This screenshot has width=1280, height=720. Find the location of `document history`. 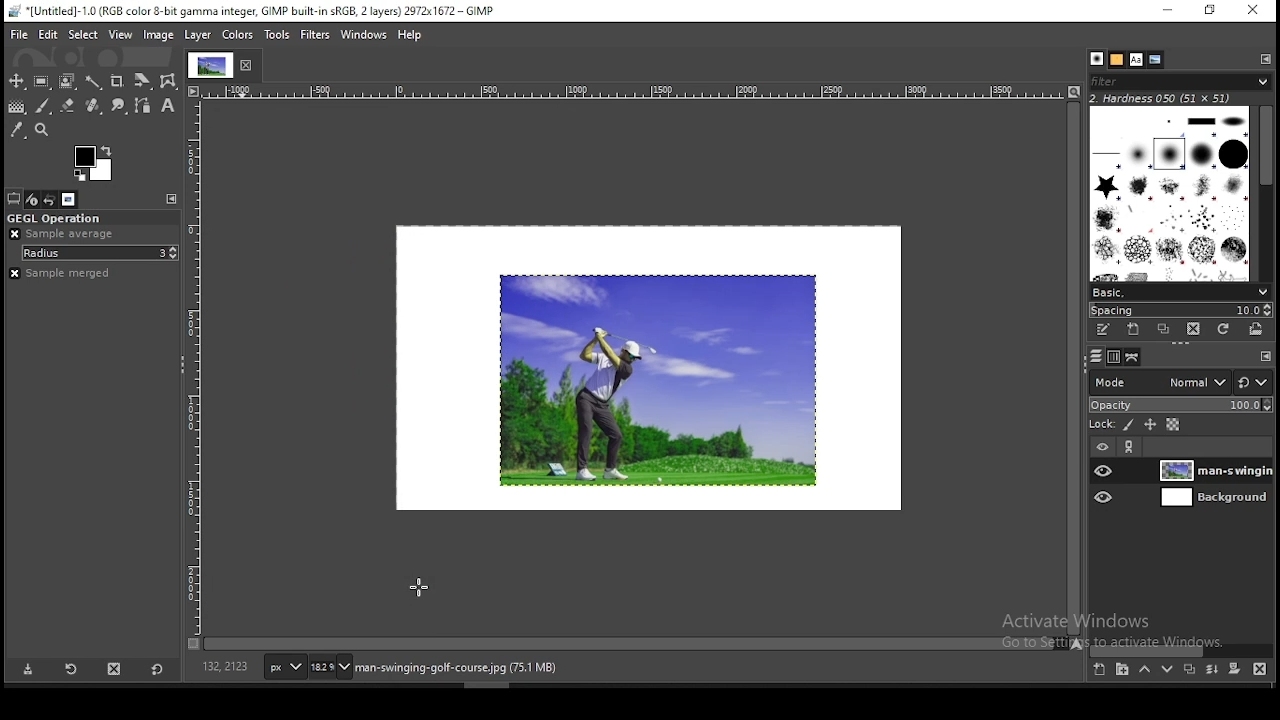

document history is located at coordinates (1154, 59).